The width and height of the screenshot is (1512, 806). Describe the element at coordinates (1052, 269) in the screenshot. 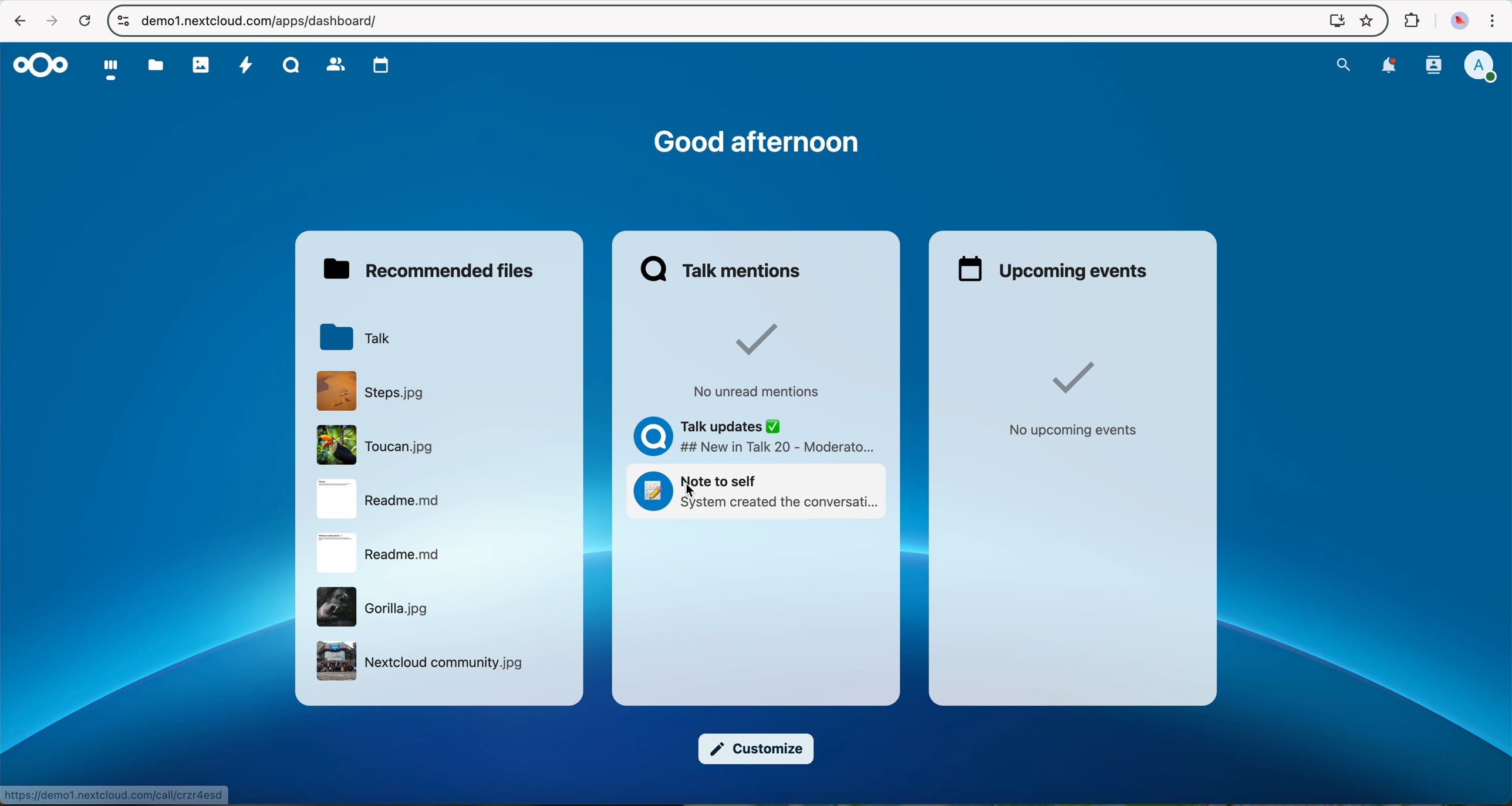

I see `upcoming events` at that location.